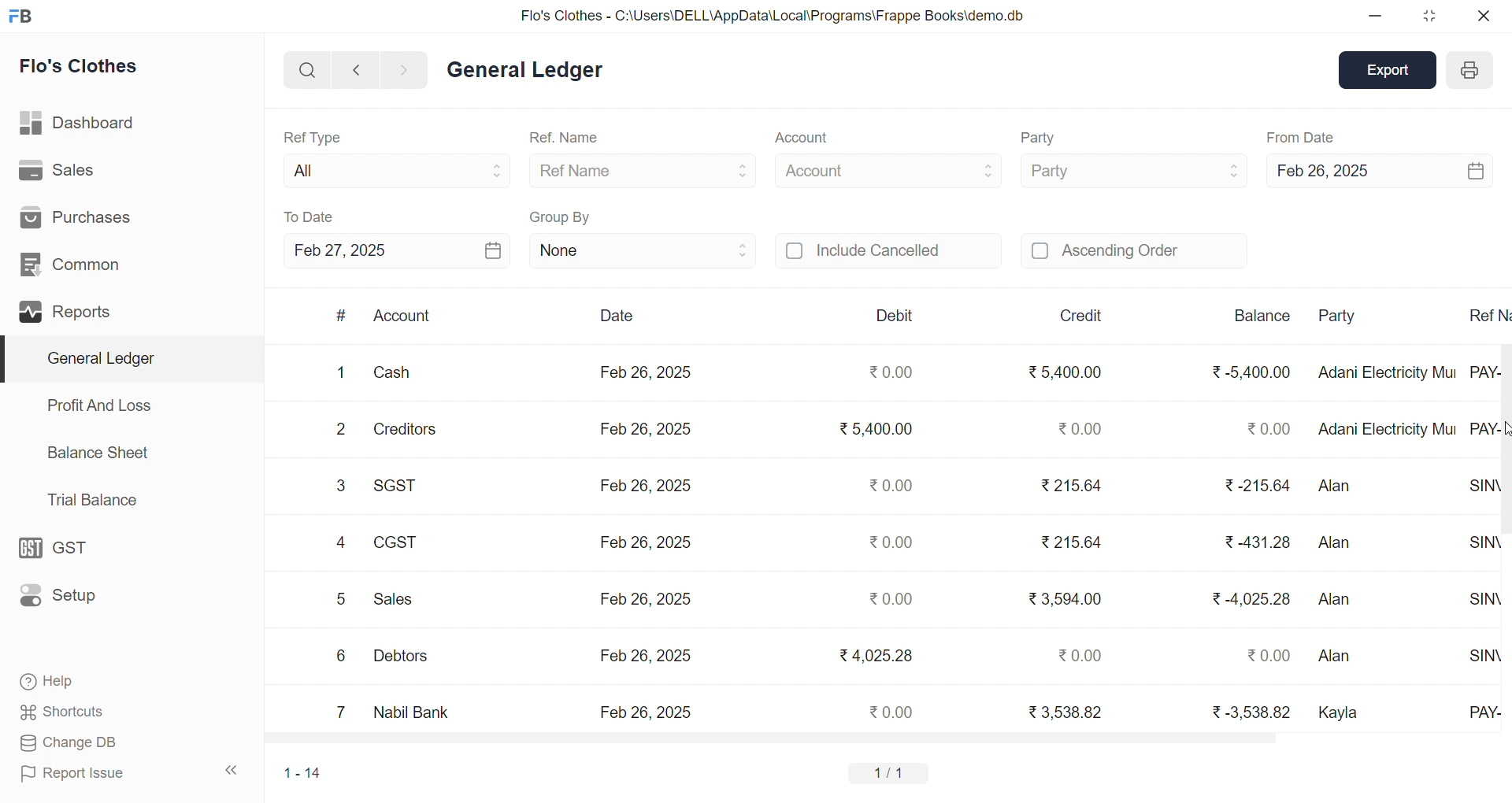  I want to click on Ref Name, so click(644, 170).